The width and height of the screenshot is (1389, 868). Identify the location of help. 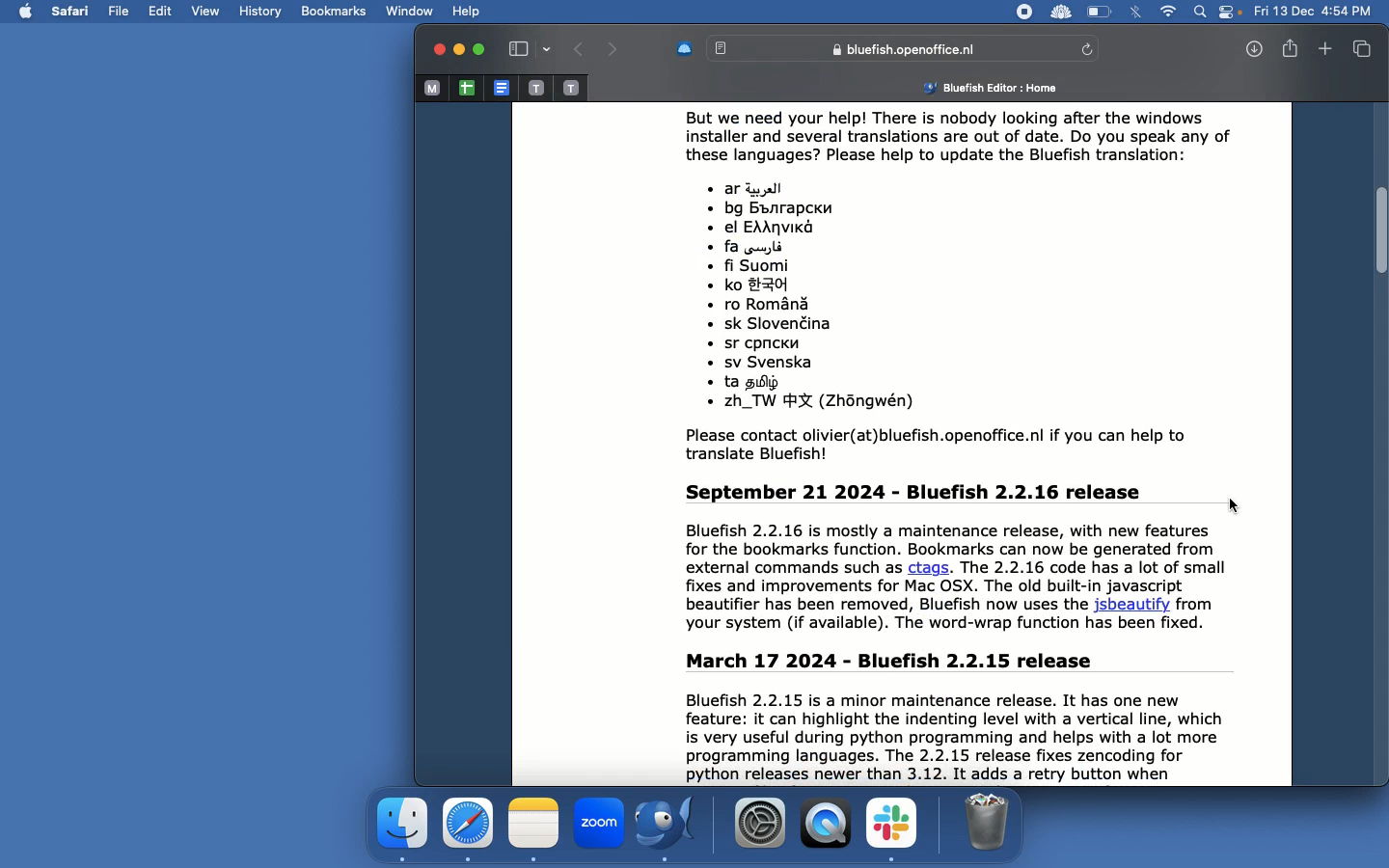
(464, 10).